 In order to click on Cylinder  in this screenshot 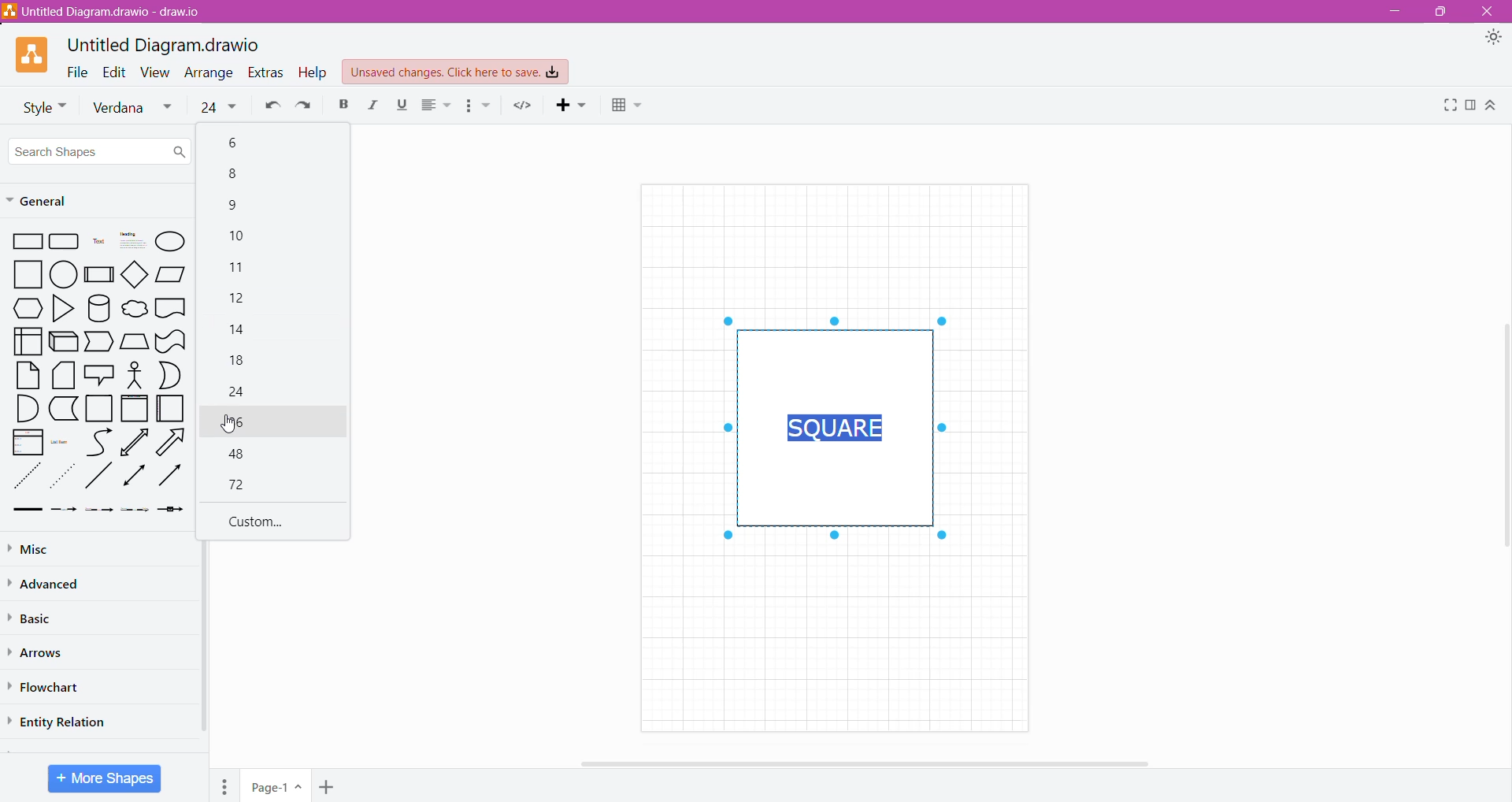, I will do `click(98, 307)`.